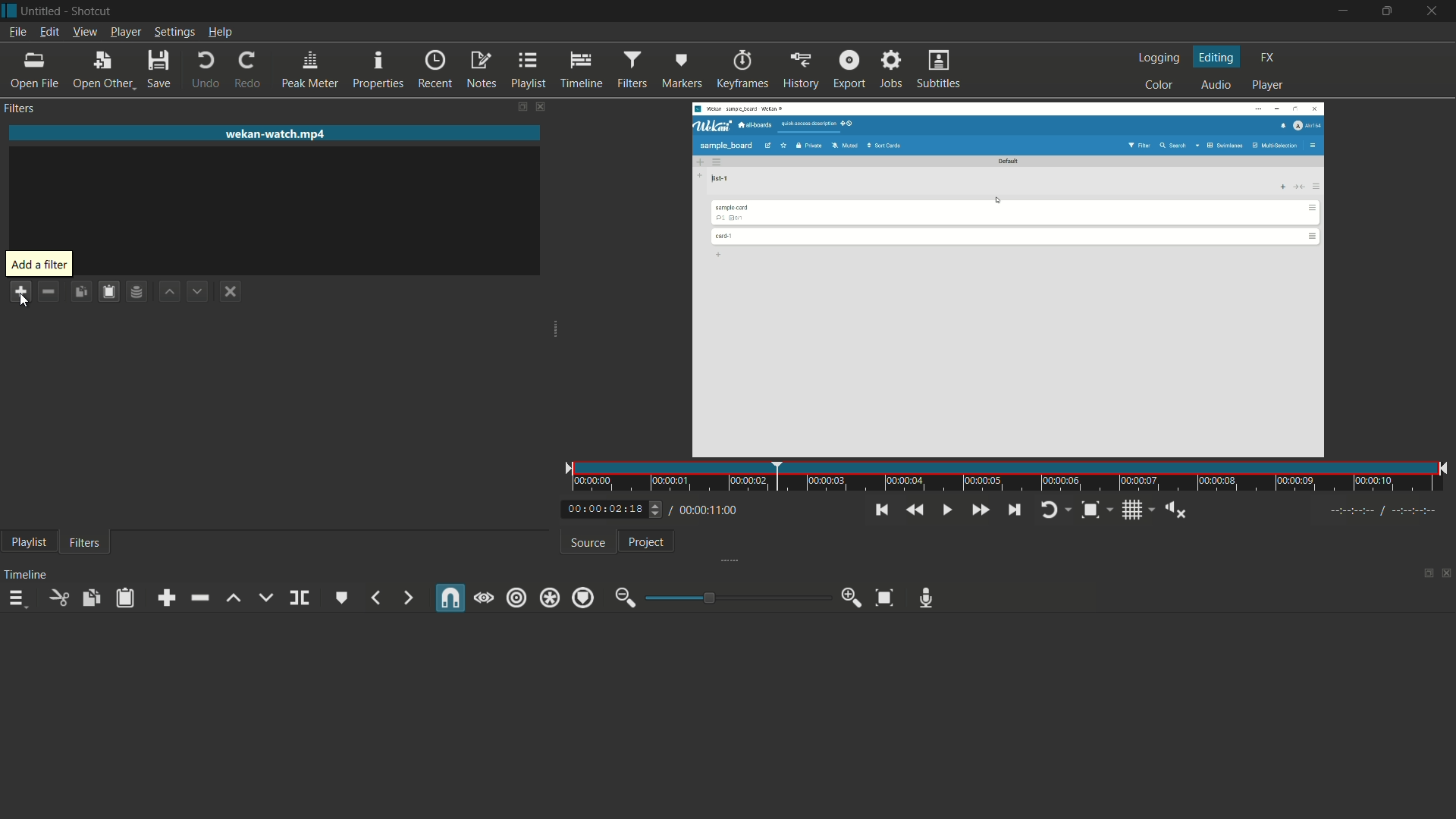  Describe the element at coordinates (16, 33) in the screenshot. I see `file menu` at that location.